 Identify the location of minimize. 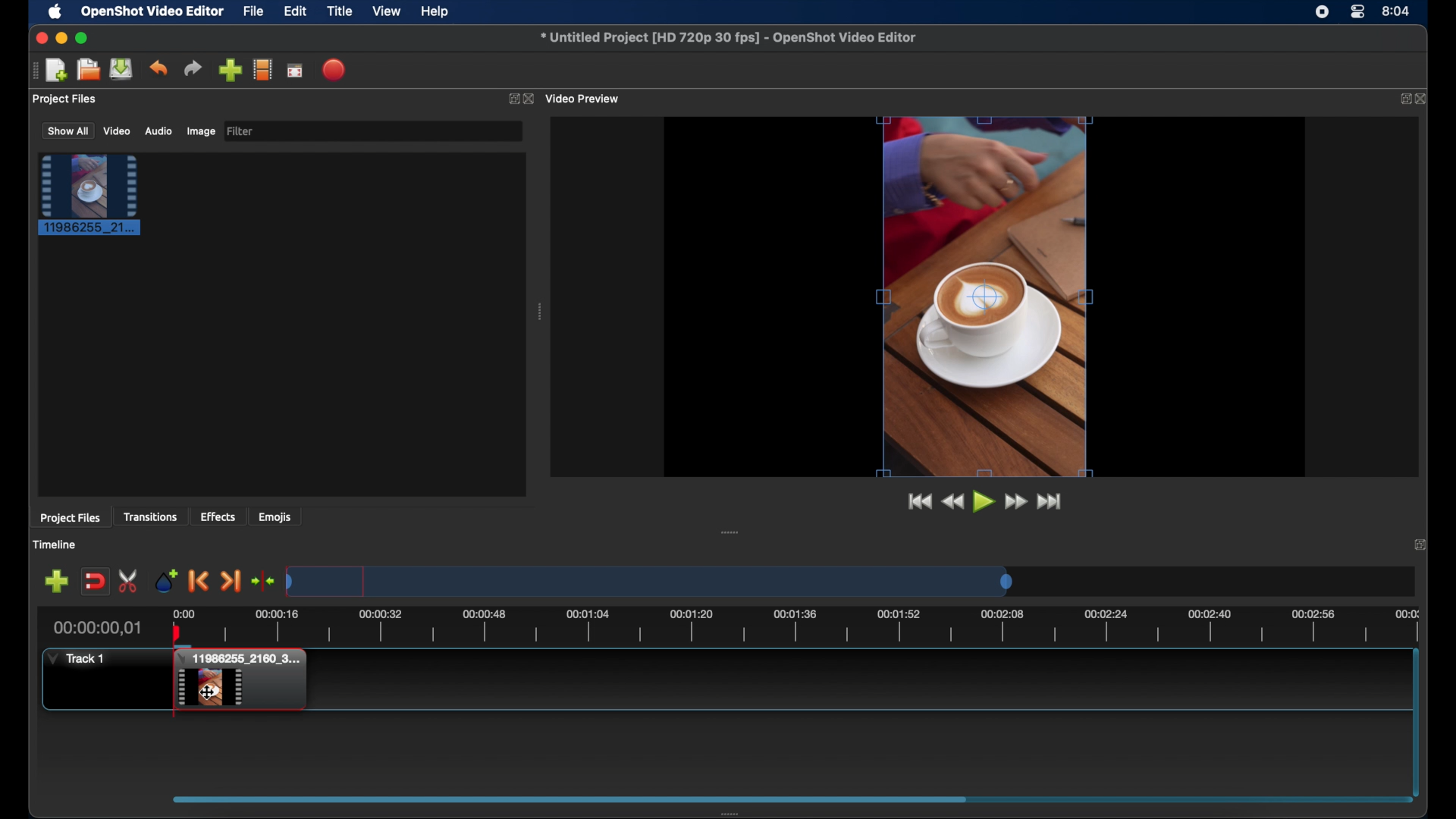
(61, 38).